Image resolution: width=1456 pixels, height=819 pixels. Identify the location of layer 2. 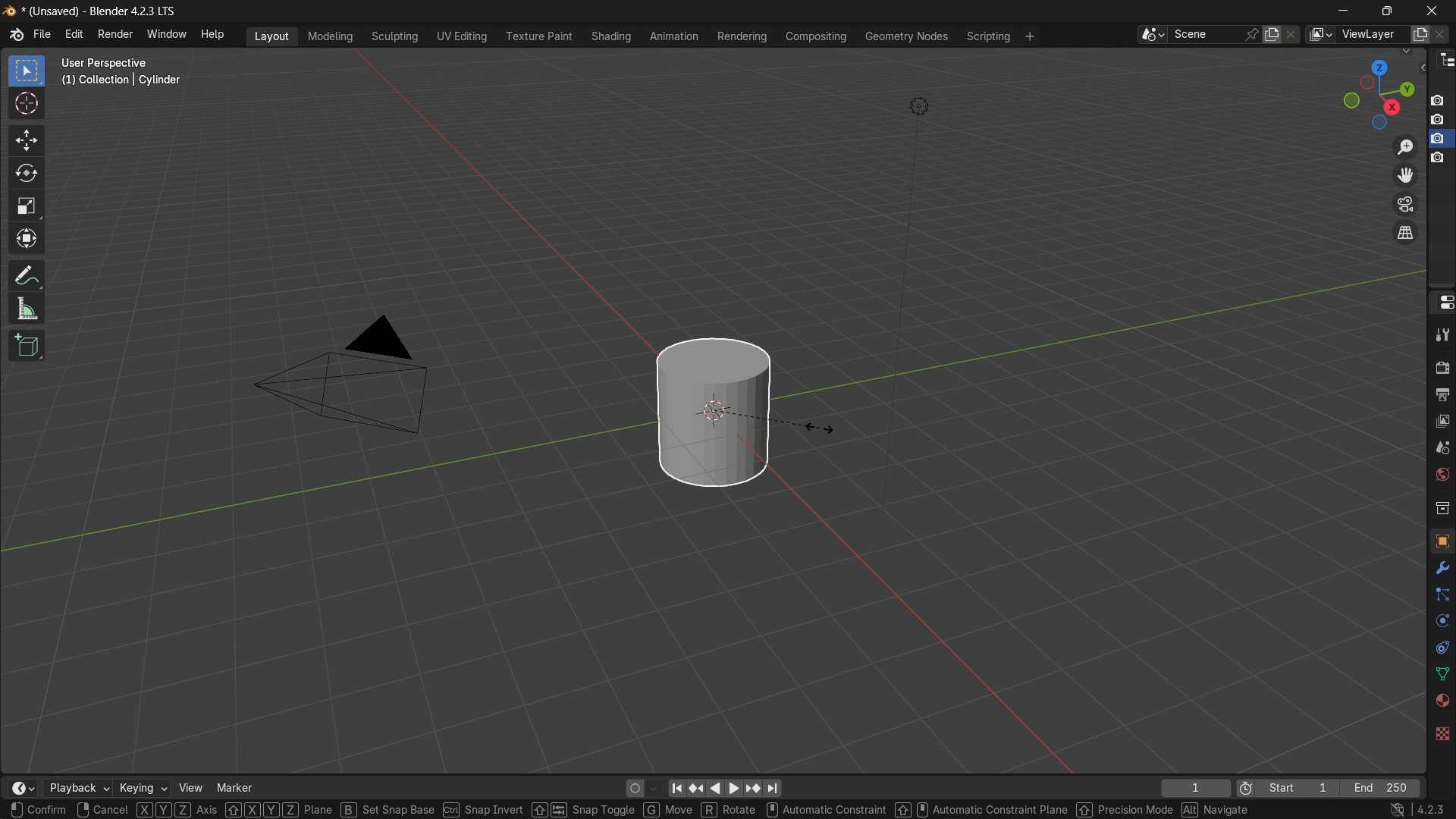
(1440, 119).